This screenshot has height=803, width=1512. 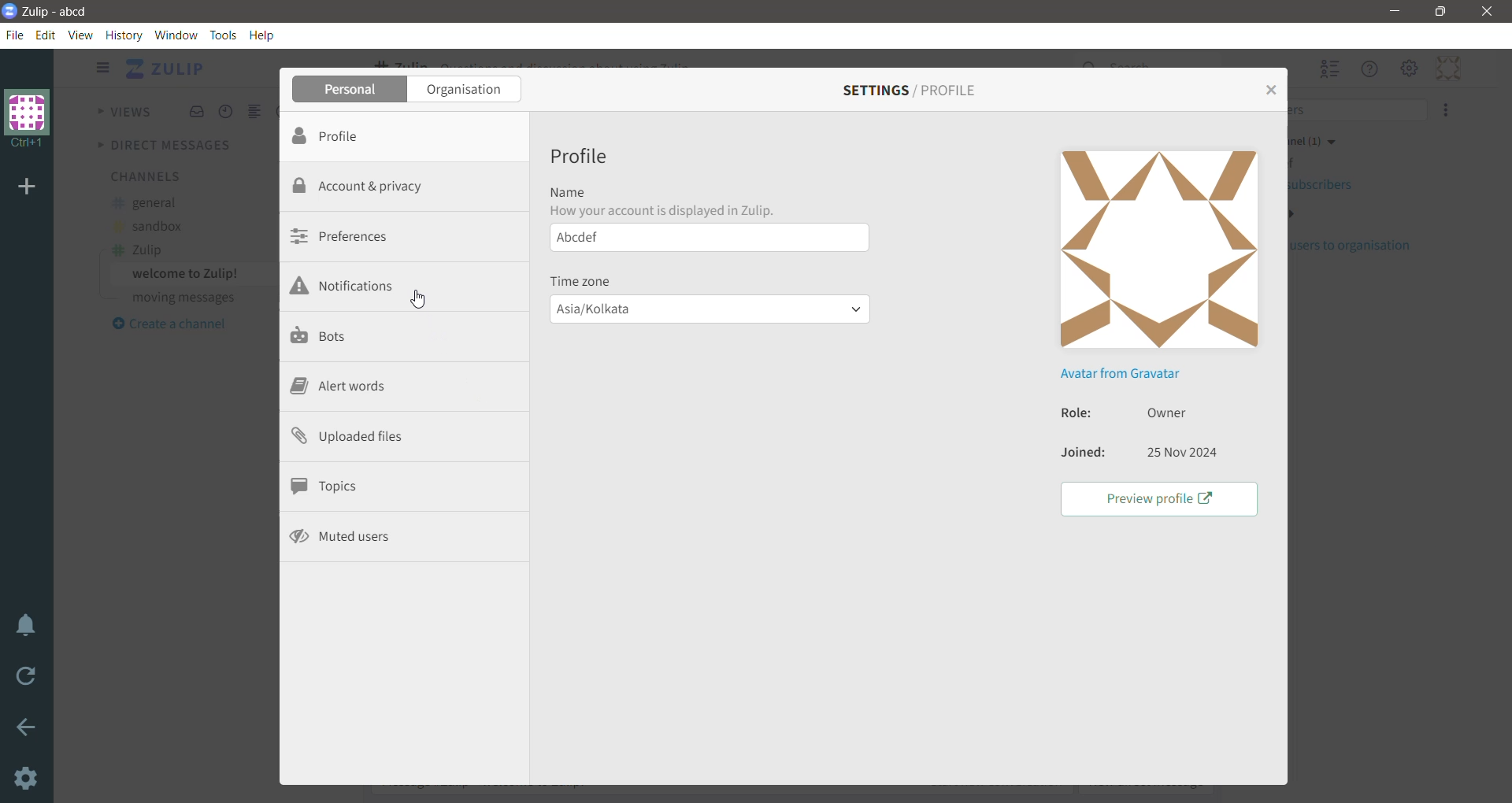 I want to click on Notifications, so click(x=343, y=287).